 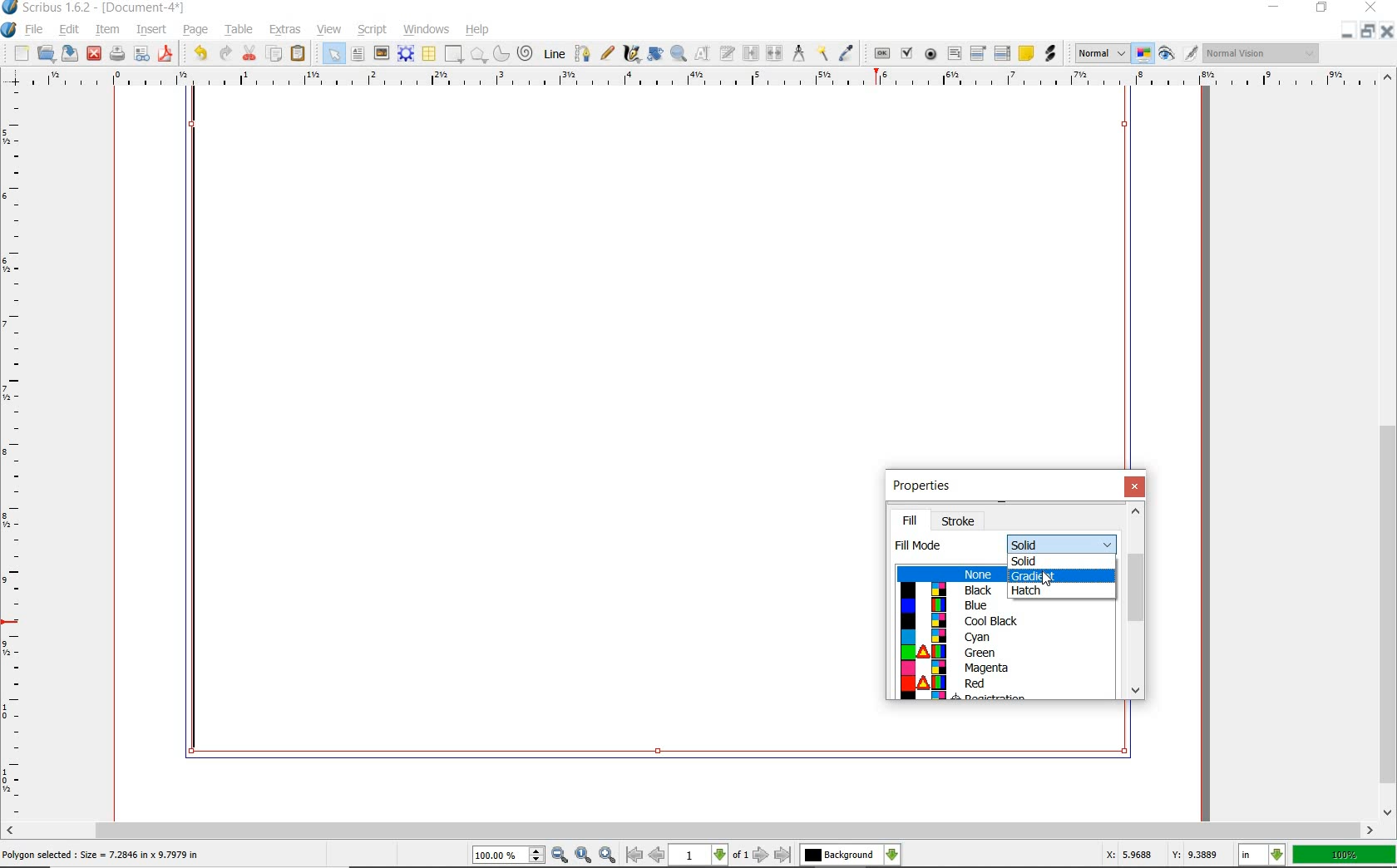 I want to click on pdf combo box, so click(x=977, y=52).